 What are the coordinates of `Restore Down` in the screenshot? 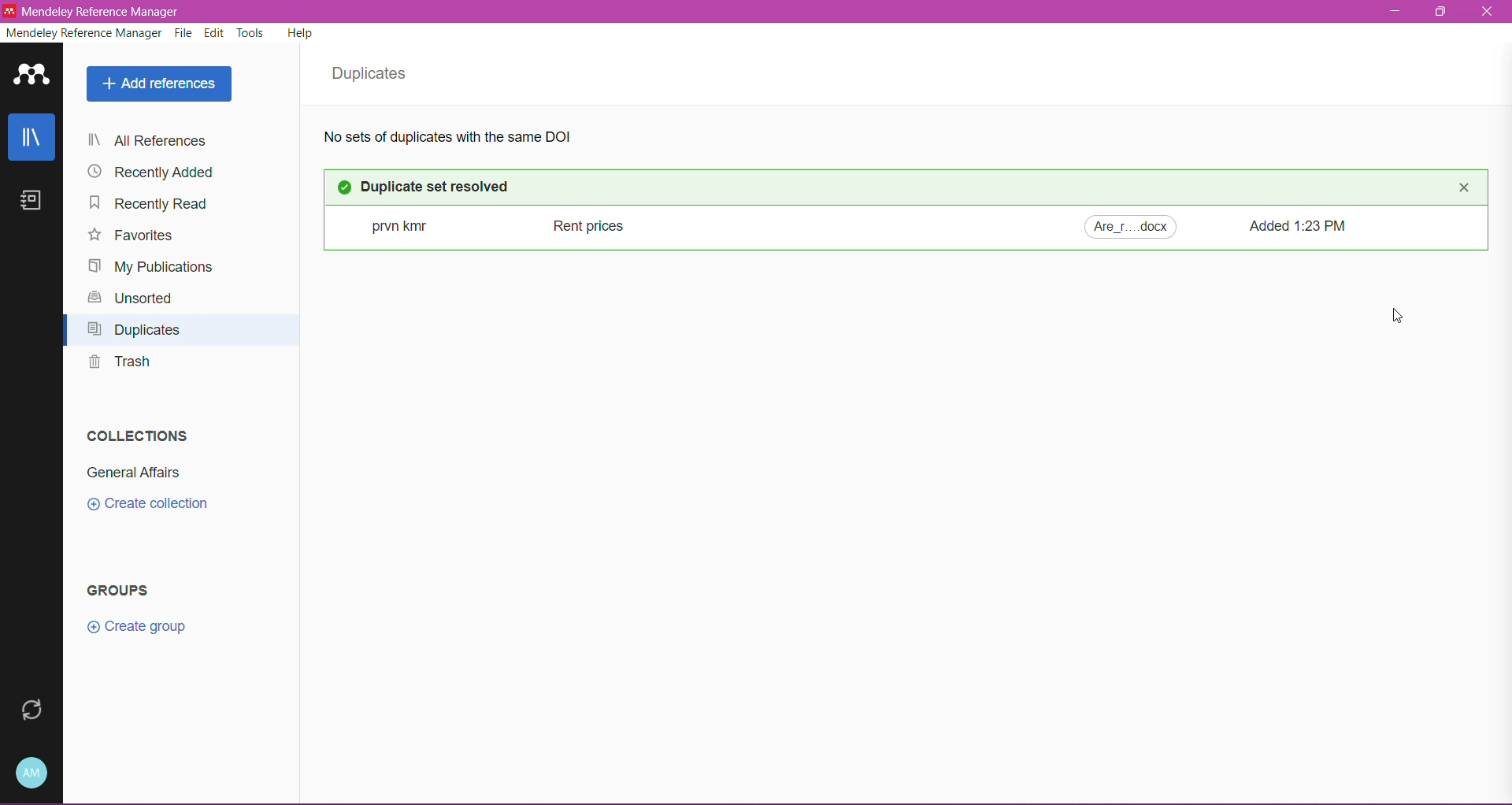 It's located at (1443, 12).